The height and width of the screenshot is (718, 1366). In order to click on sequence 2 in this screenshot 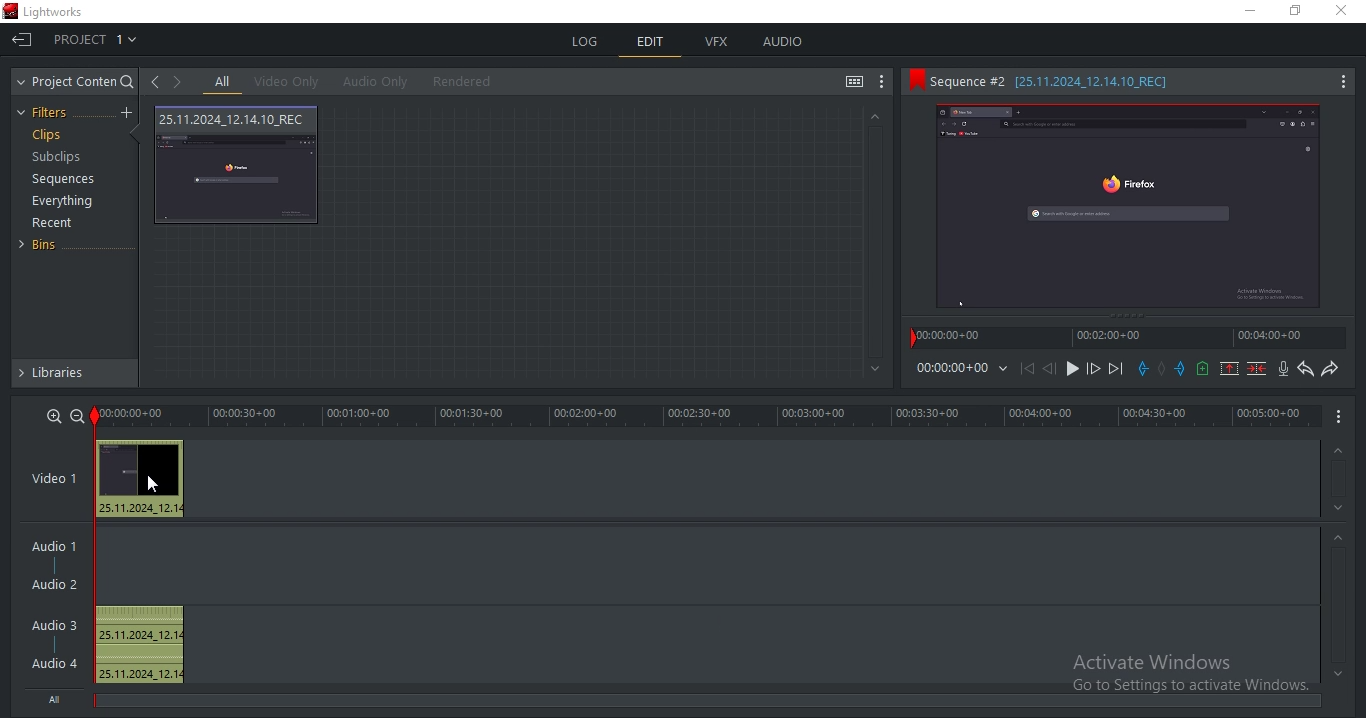, I will do `click(1130, 83)`.